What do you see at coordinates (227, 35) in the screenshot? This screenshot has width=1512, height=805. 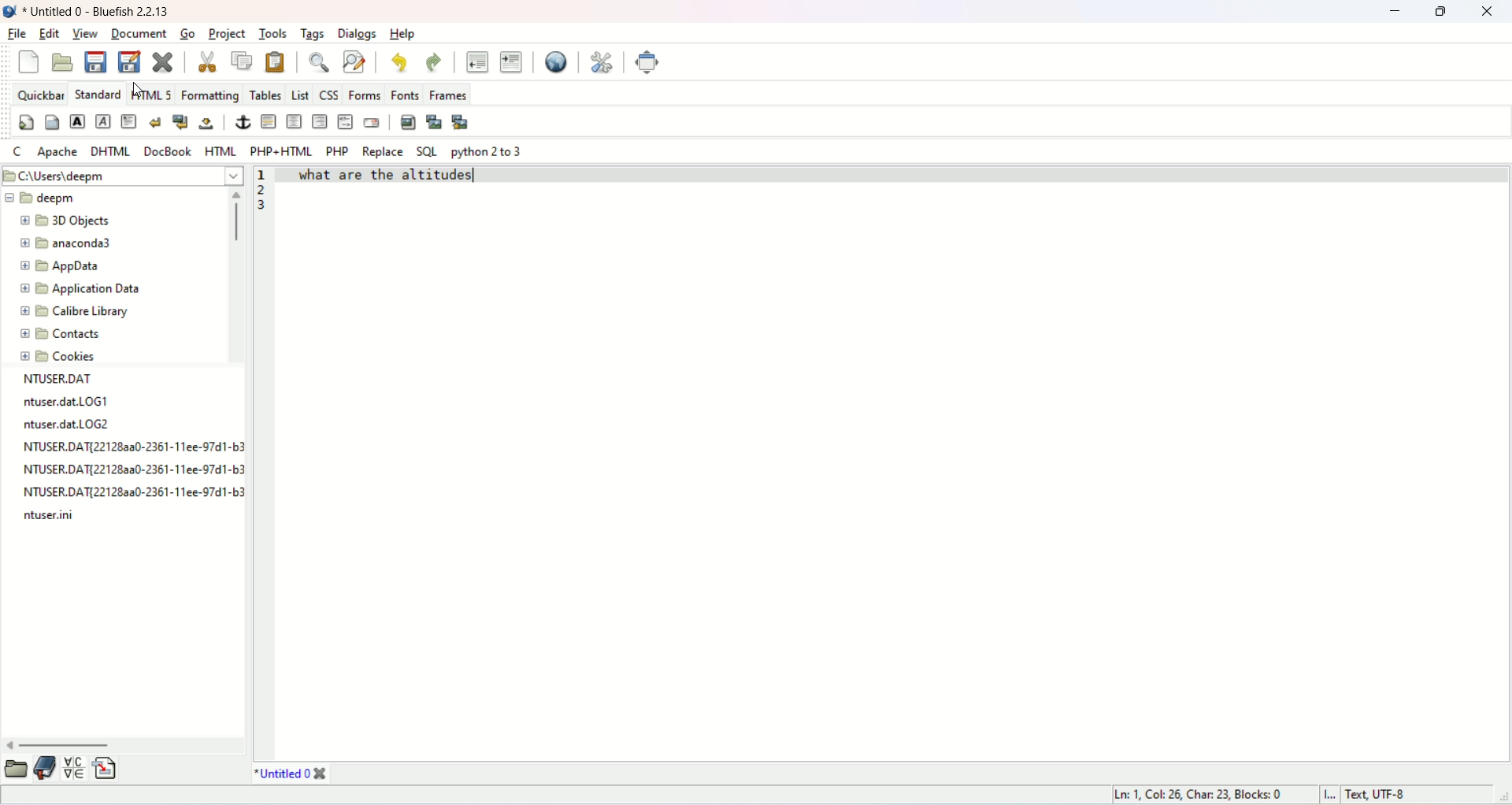 I see `project` at bounding box center [227, 35].